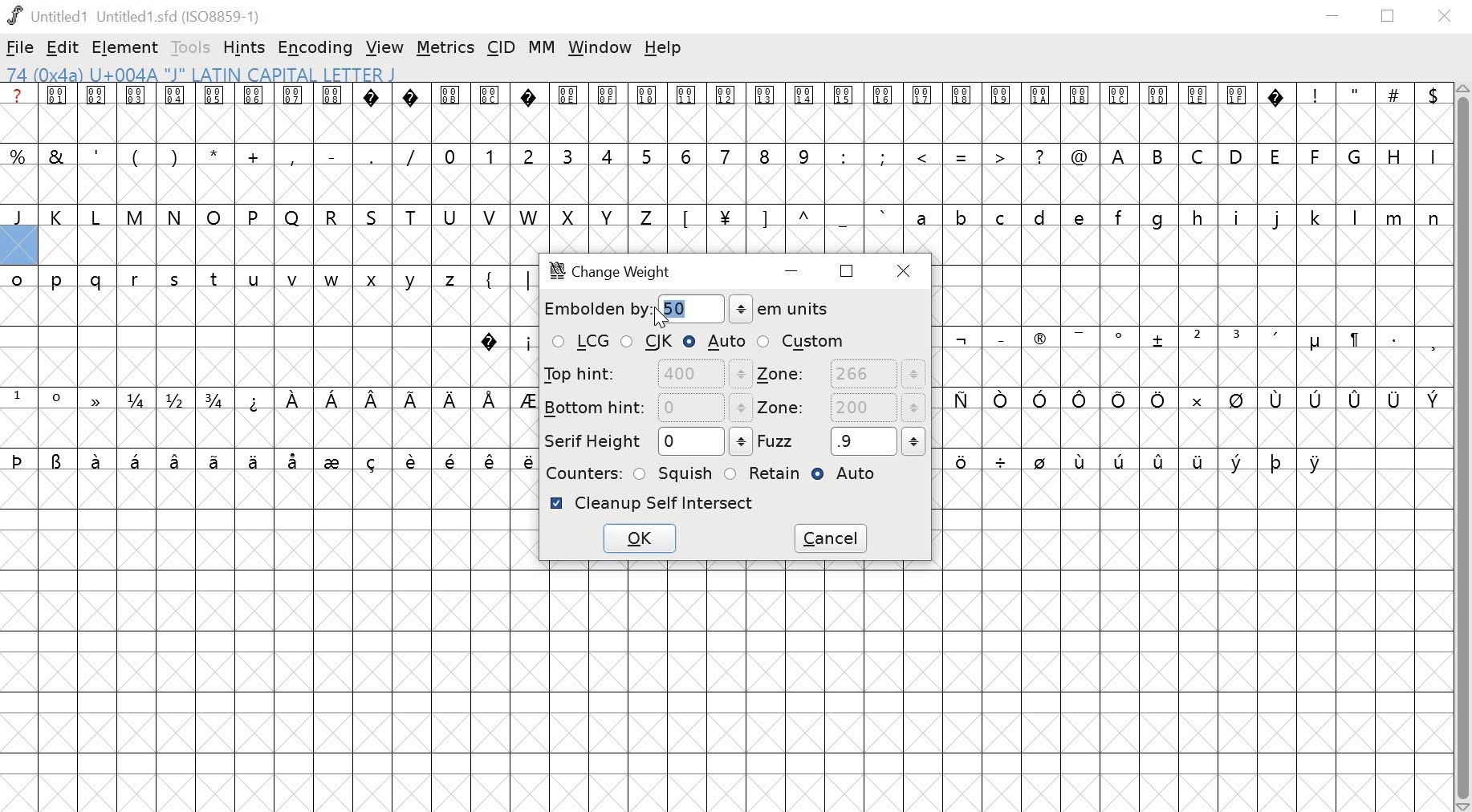 The image size is (1472, 812). Describe the element at coordinates (1140, 464) in the screenshot. I see `symbols` at that location.